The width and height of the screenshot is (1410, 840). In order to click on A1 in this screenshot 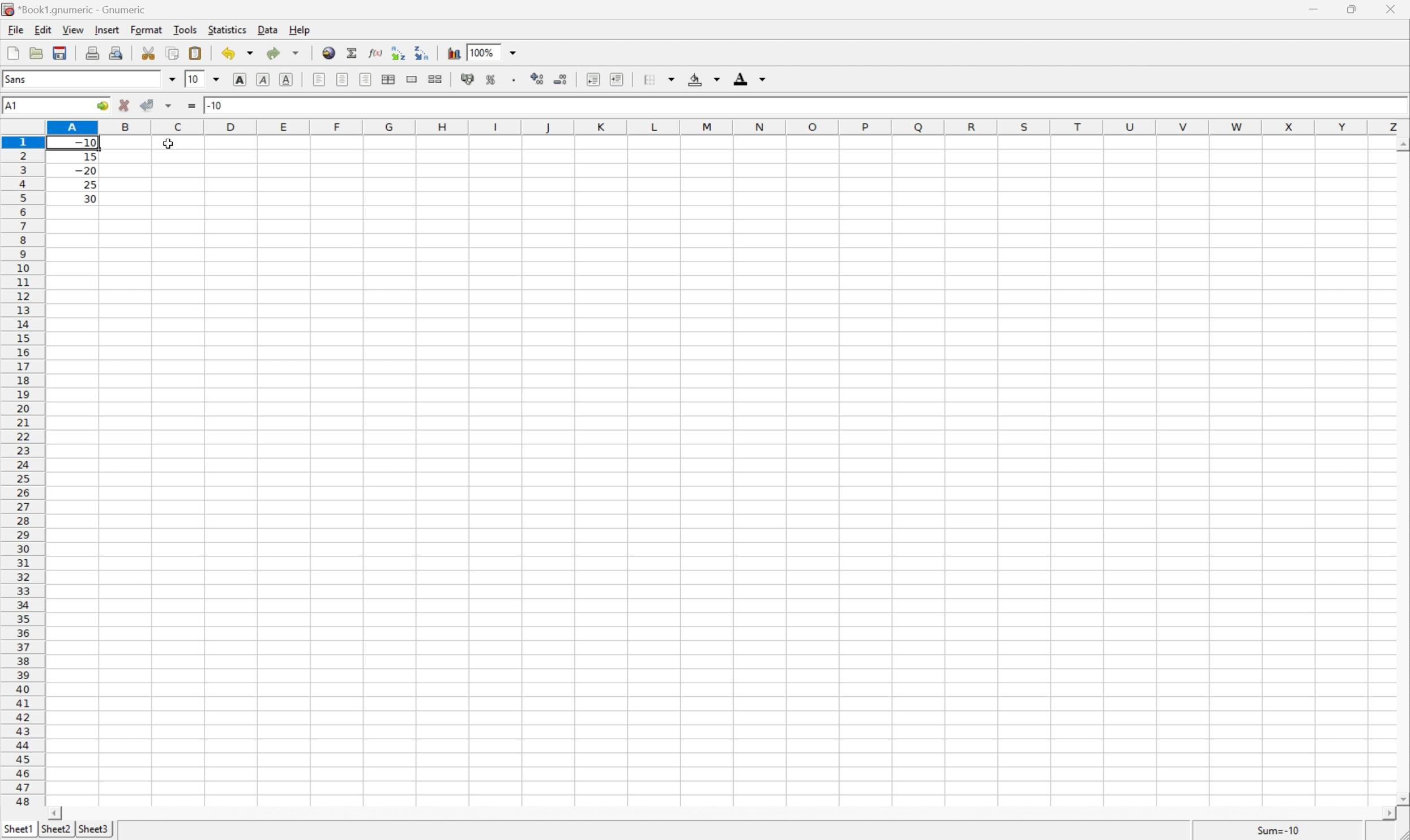, I will do `click(11, 104)`.